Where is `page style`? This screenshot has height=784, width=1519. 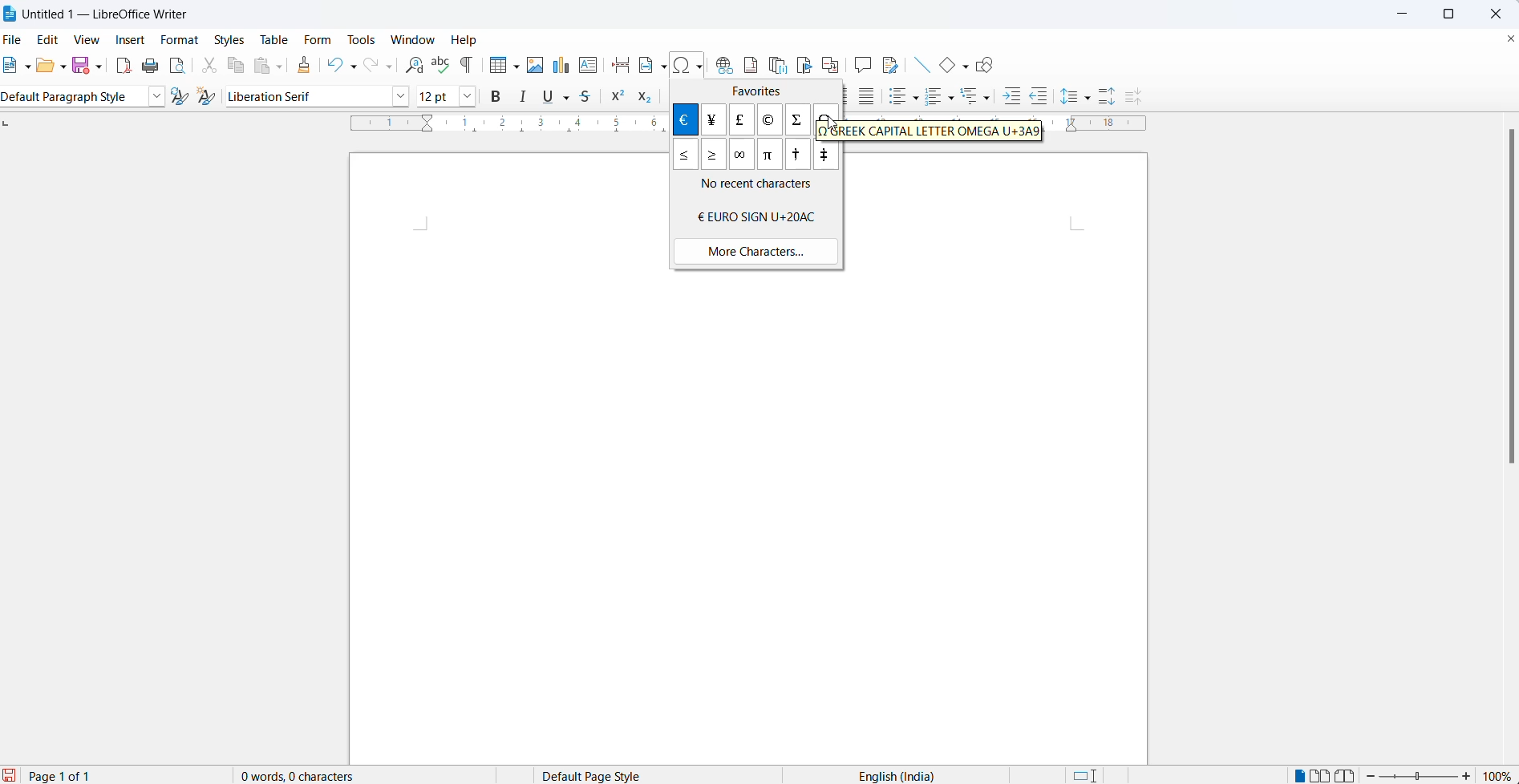 page style is located at coordinates (612, 774).